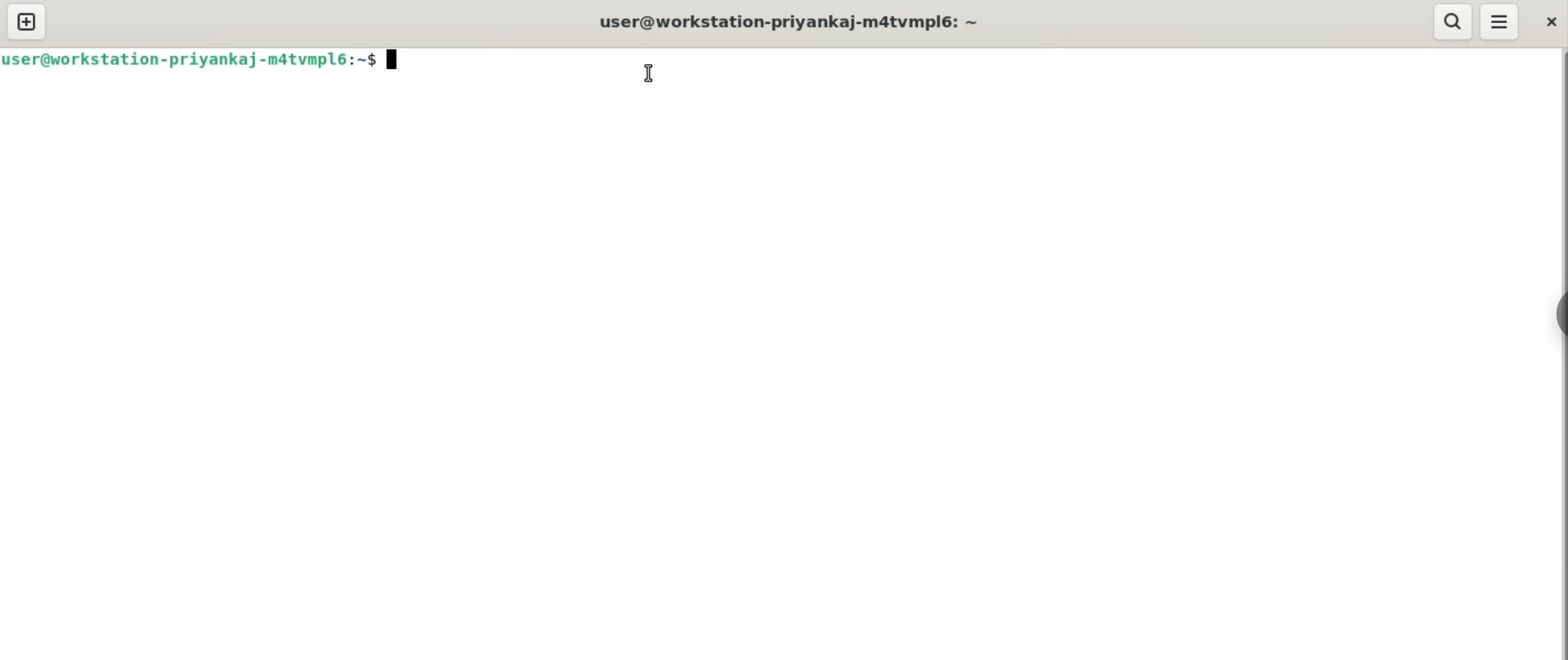 The height and width of the screenshot is (660, 1568). What do you see at coordinates (25, 19) in the screenshot?
I see `new tab` at bounding box center [25, 19].